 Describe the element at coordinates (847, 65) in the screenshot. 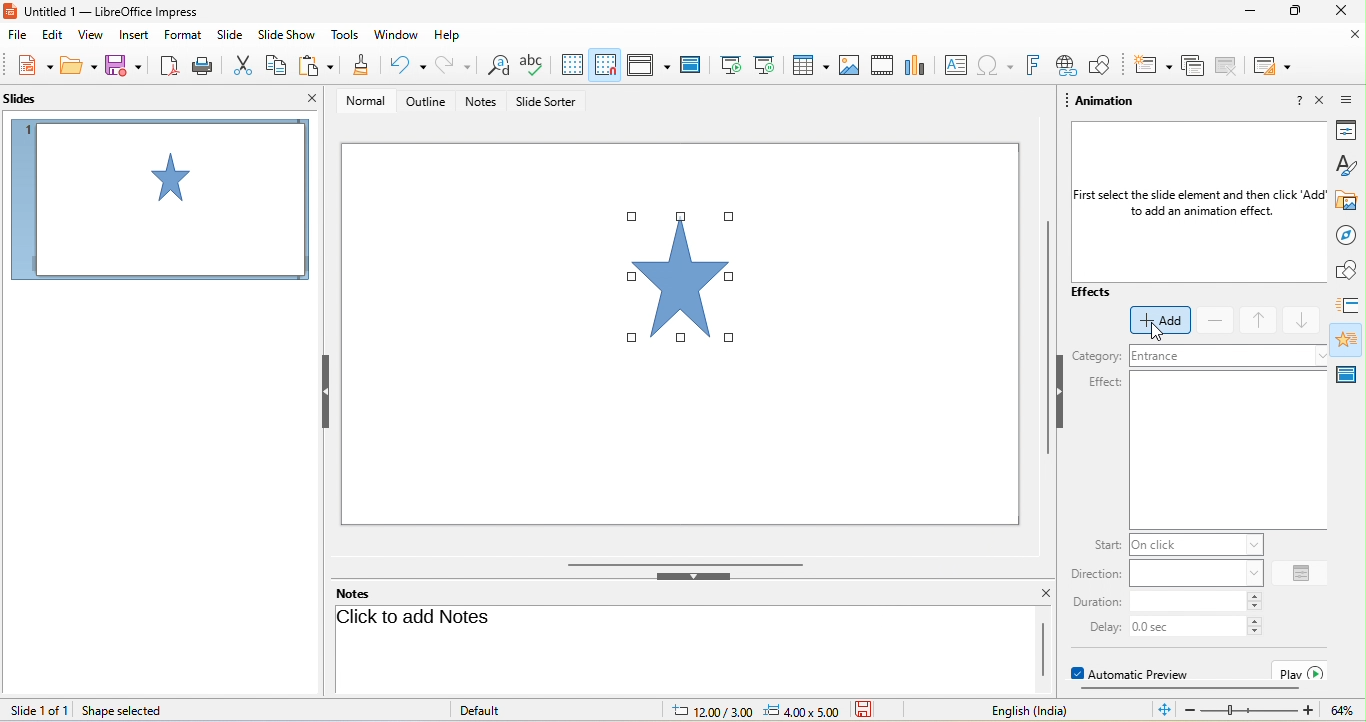

I see `image` at that location.